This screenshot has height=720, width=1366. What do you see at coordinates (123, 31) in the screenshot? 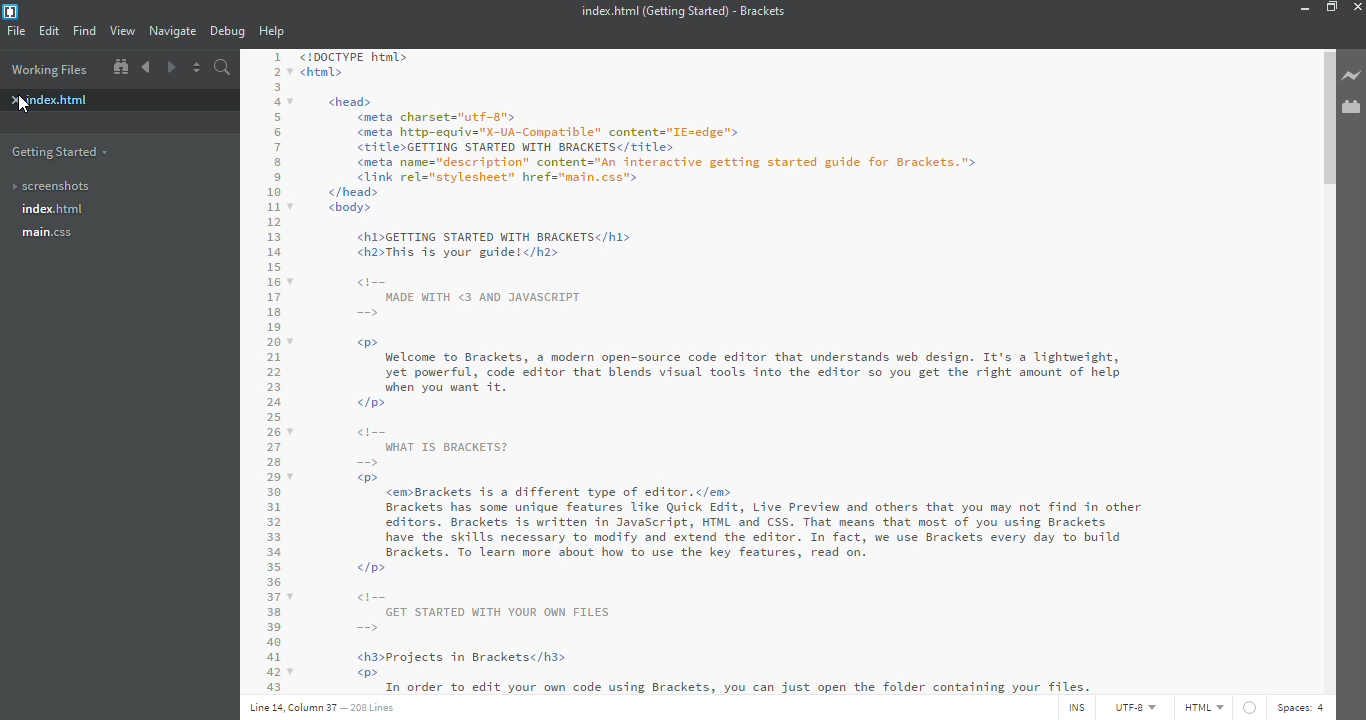
I see `view` at bounding box center [123, 31].